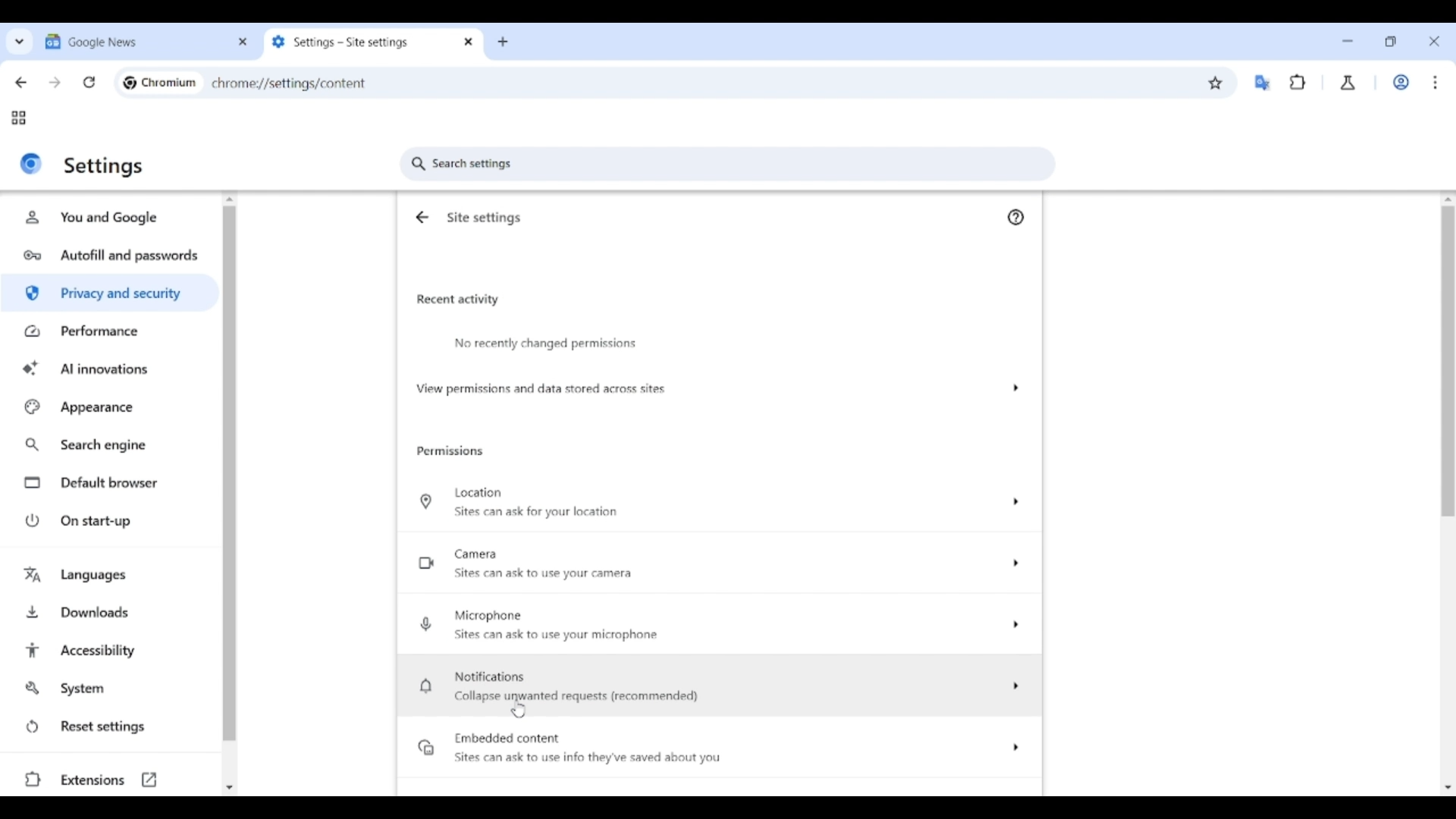 This screenshot has height=819, width=1456. I want to click on Close interface, so click(1434, 41).